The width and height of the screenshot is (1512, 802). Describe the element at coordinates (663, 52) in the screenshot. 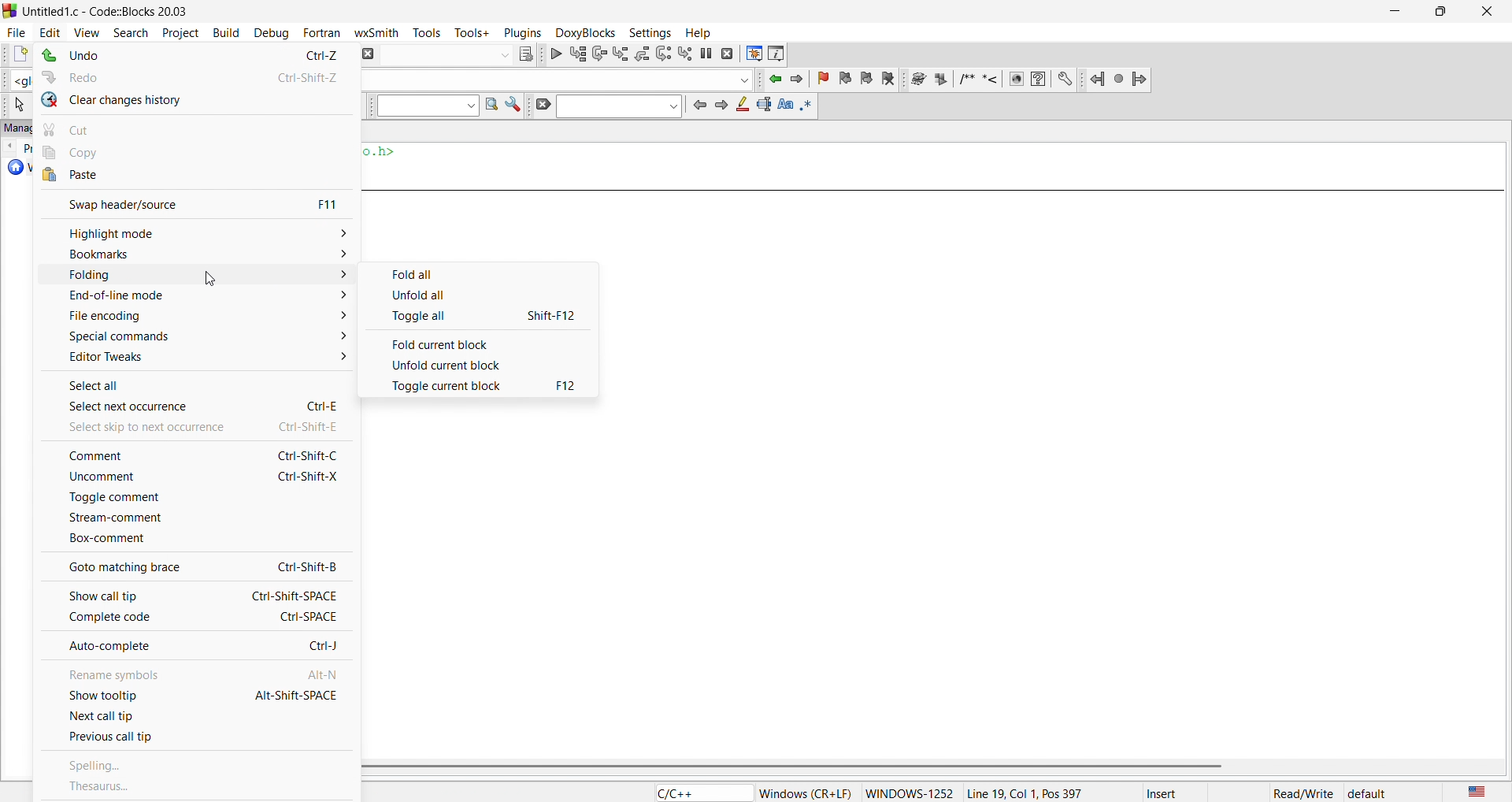

I see `next instruction` at that location.